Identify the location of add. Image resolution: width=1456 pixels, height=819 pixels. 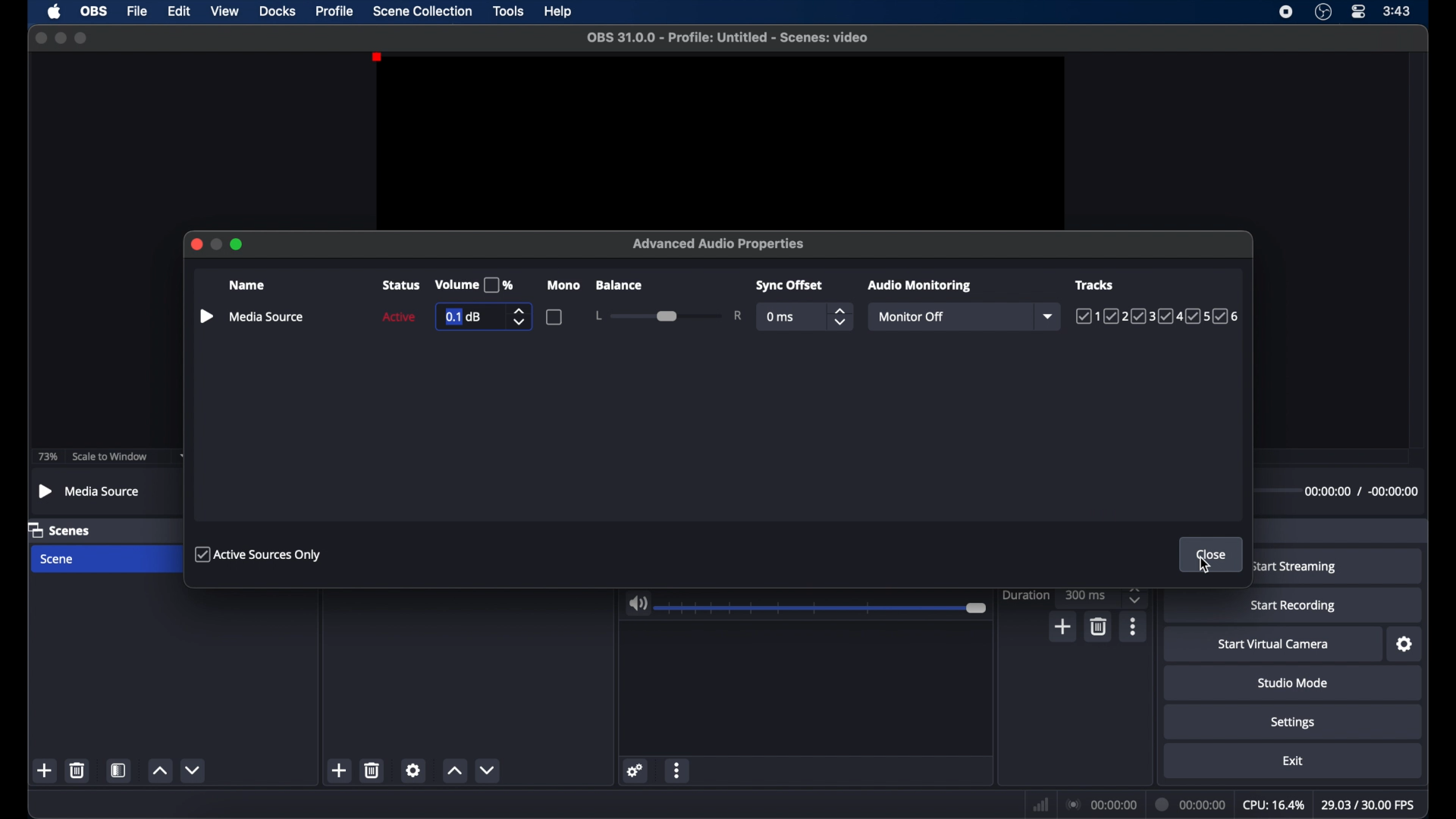
(338, 770).